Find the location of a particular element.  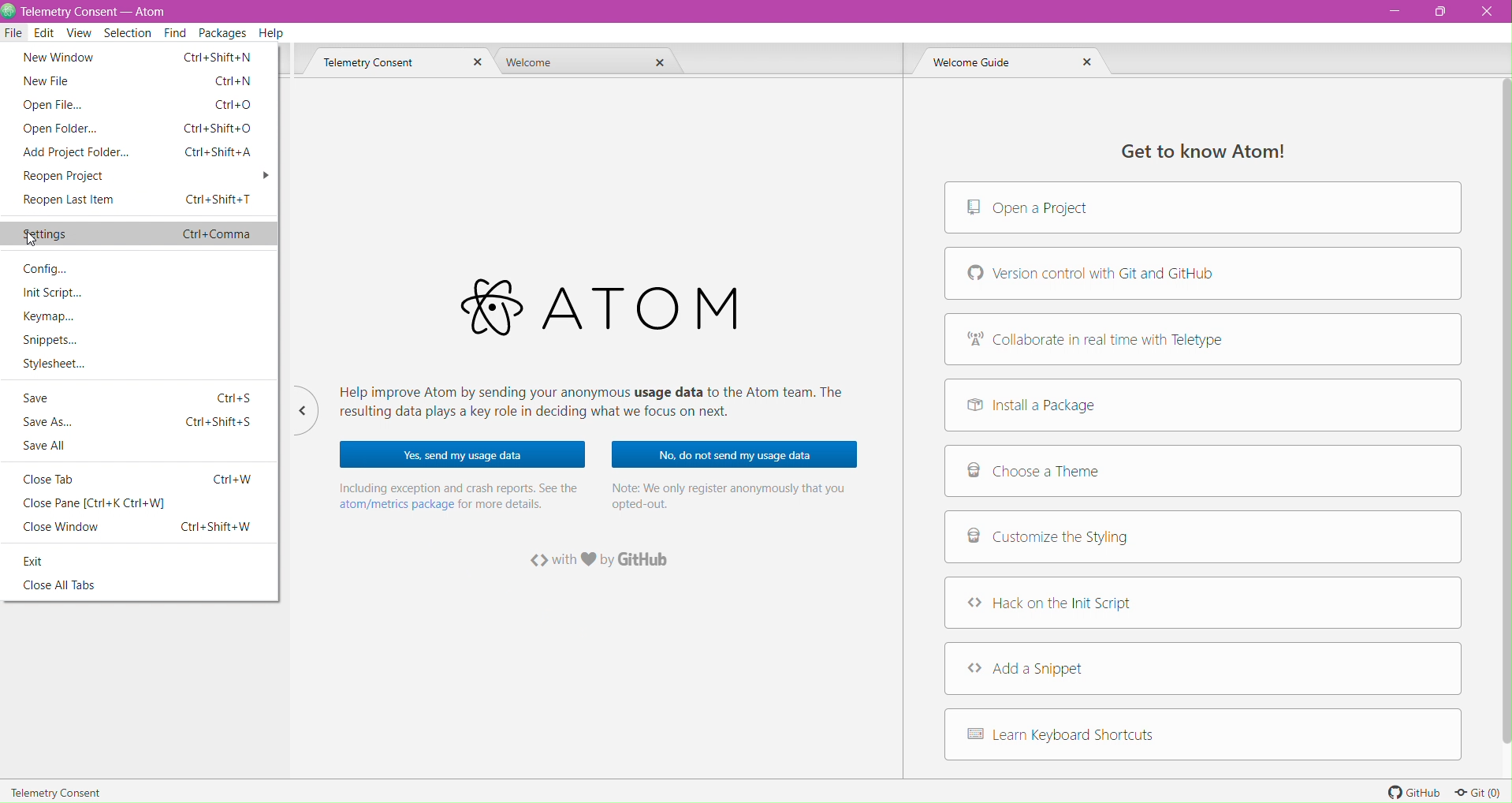

Including exception and crash reports. See the atom/metrics package for more details. is located at coordinates (458, 495).